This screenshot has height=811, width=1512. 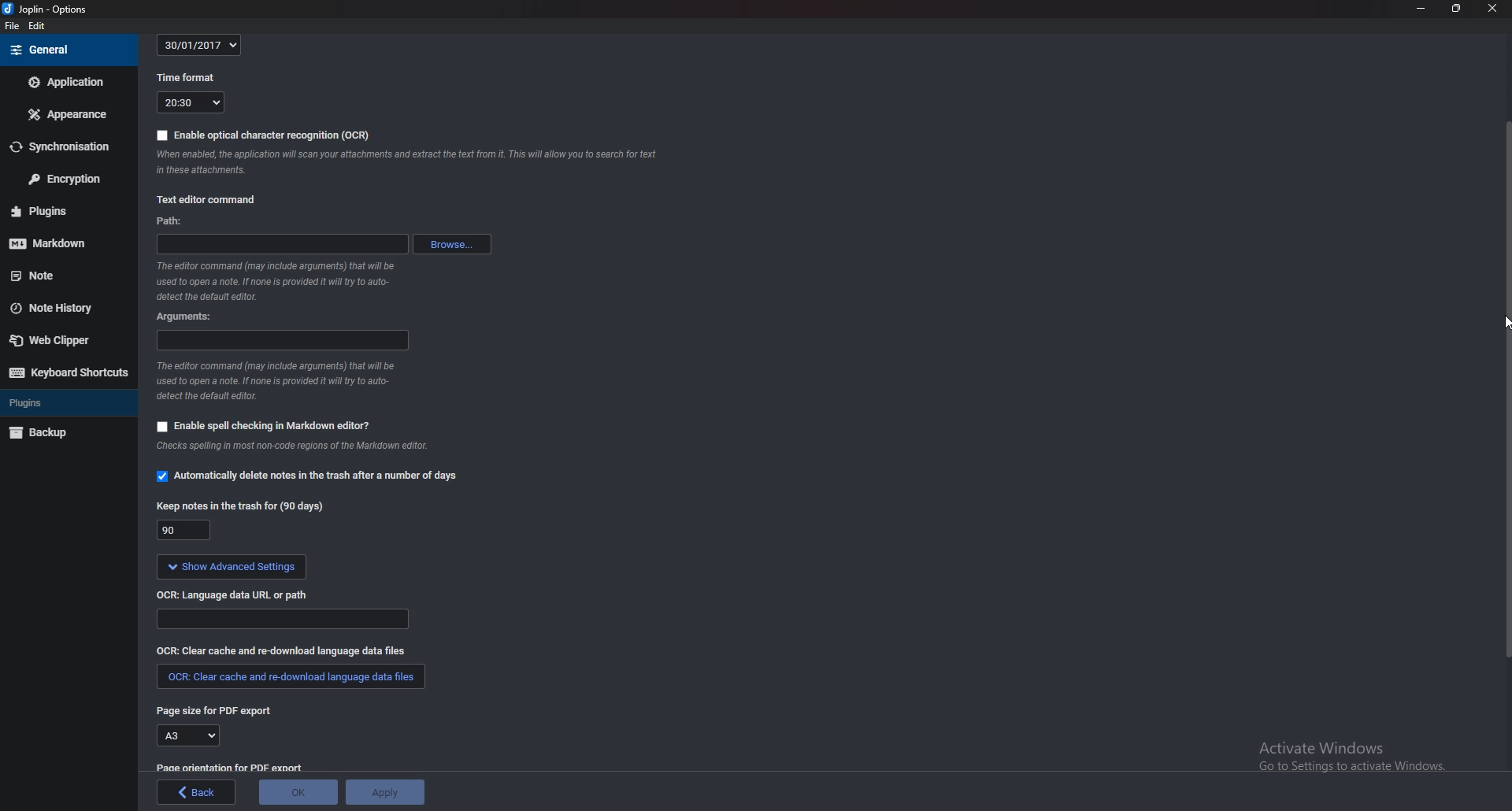 What do you see at coordinates (298, 792) in the screenshot?
I see `ok` at bounding box center [298, 792].